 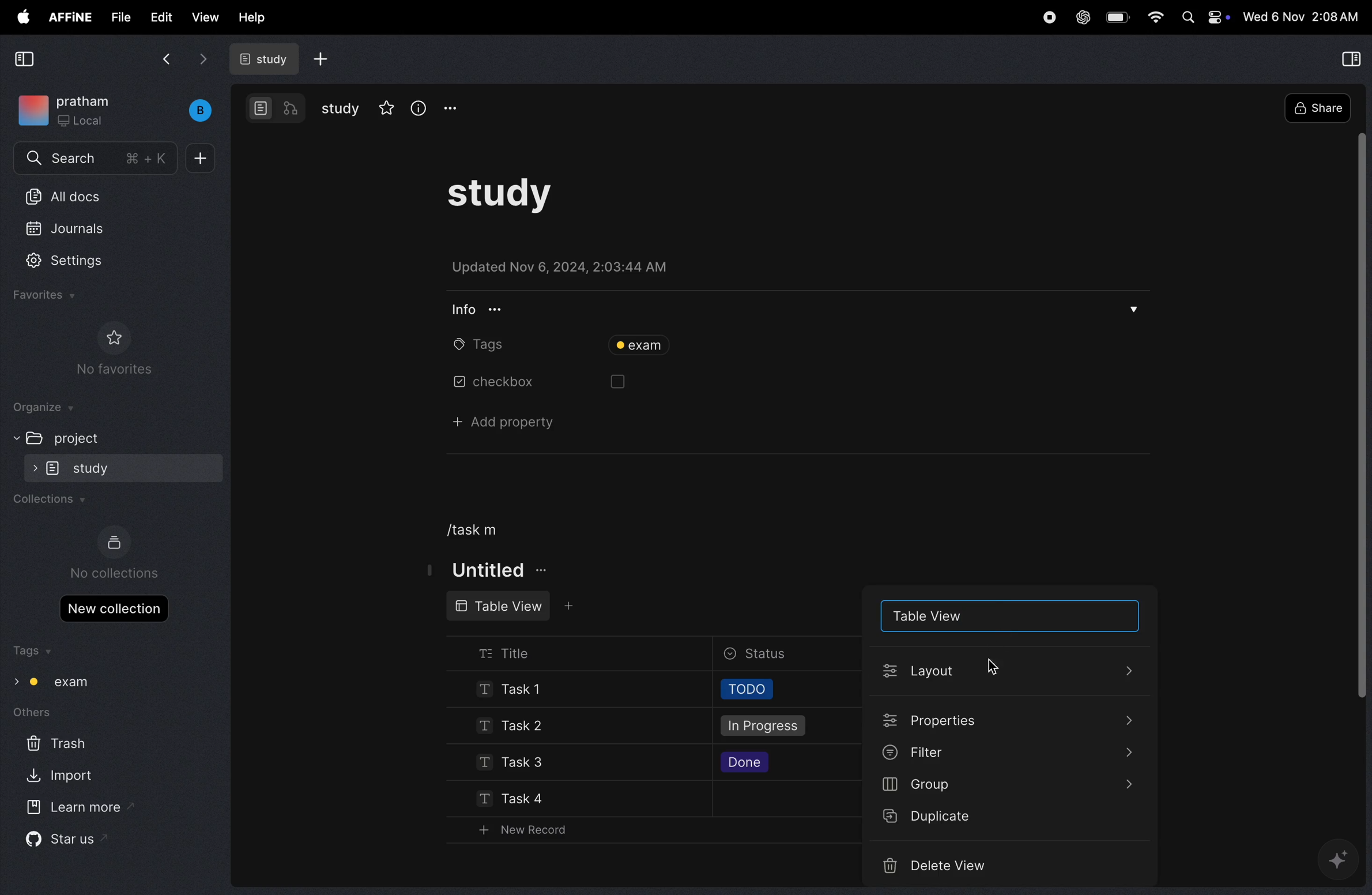 I want to click on share, so click(x=1317, y=107).